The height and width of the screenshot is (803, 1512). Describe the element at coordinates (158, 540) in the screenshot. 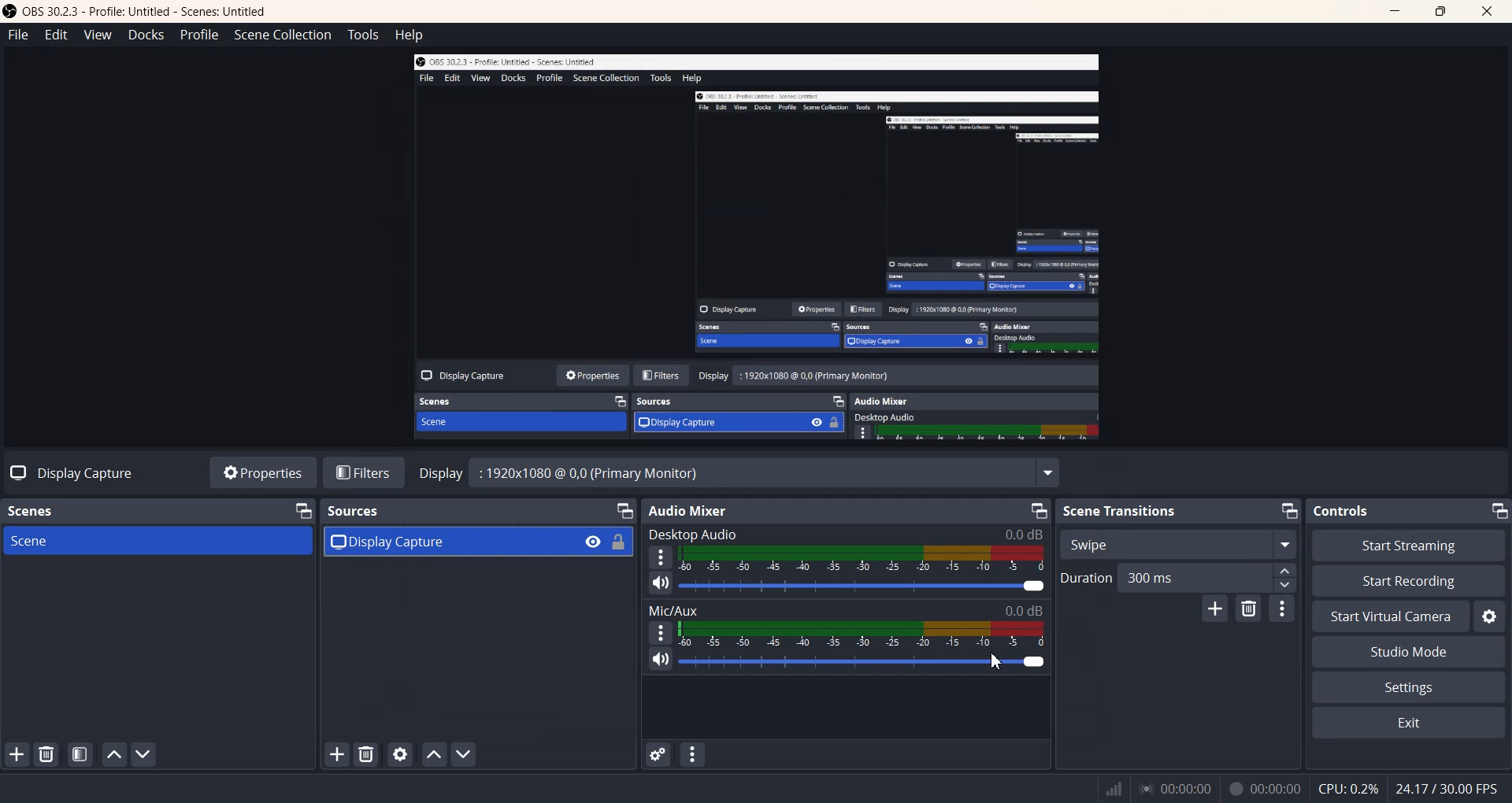

I see `Scene` at that location.